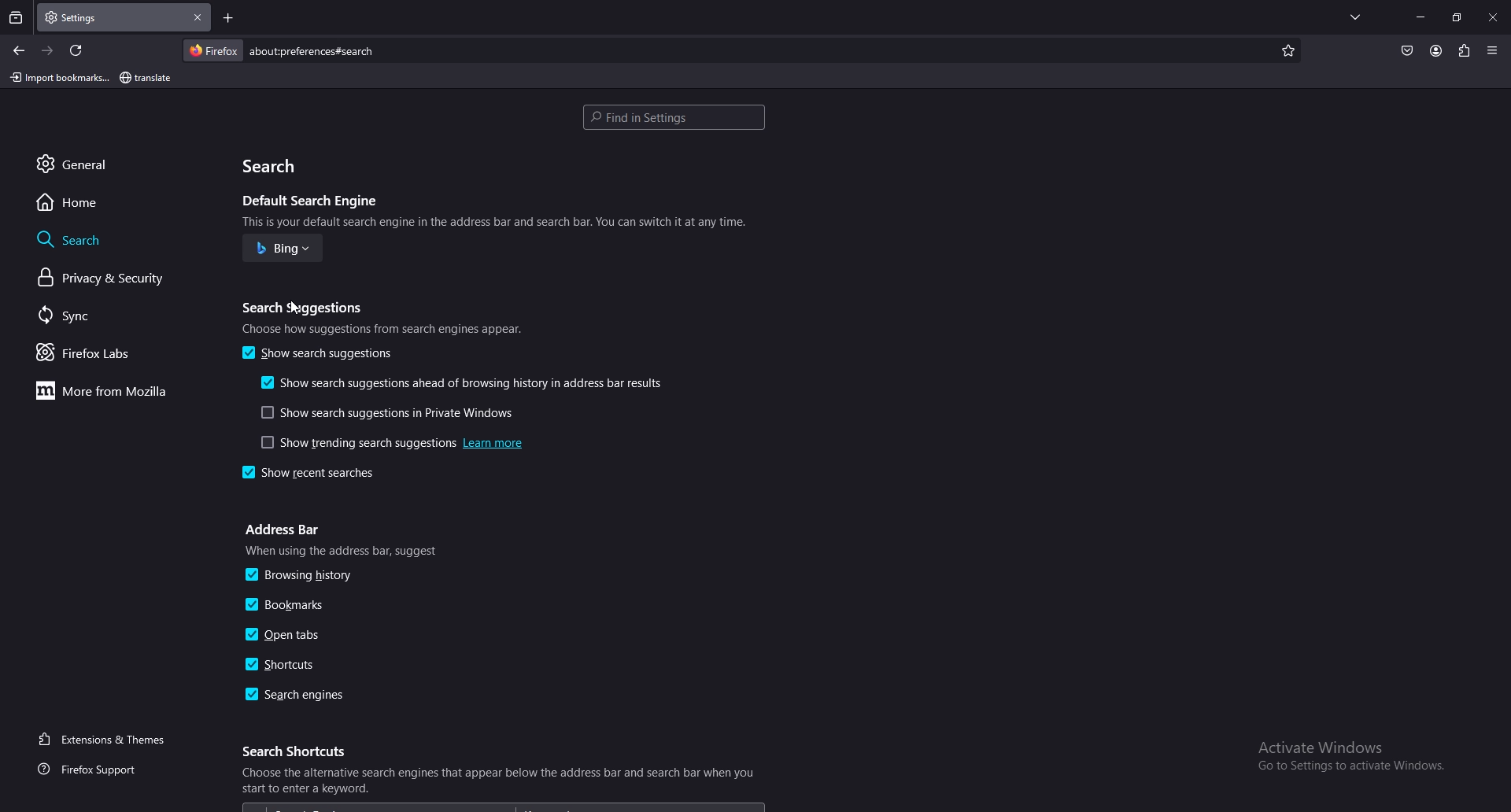  I want to click on forward, so click(50, 50).